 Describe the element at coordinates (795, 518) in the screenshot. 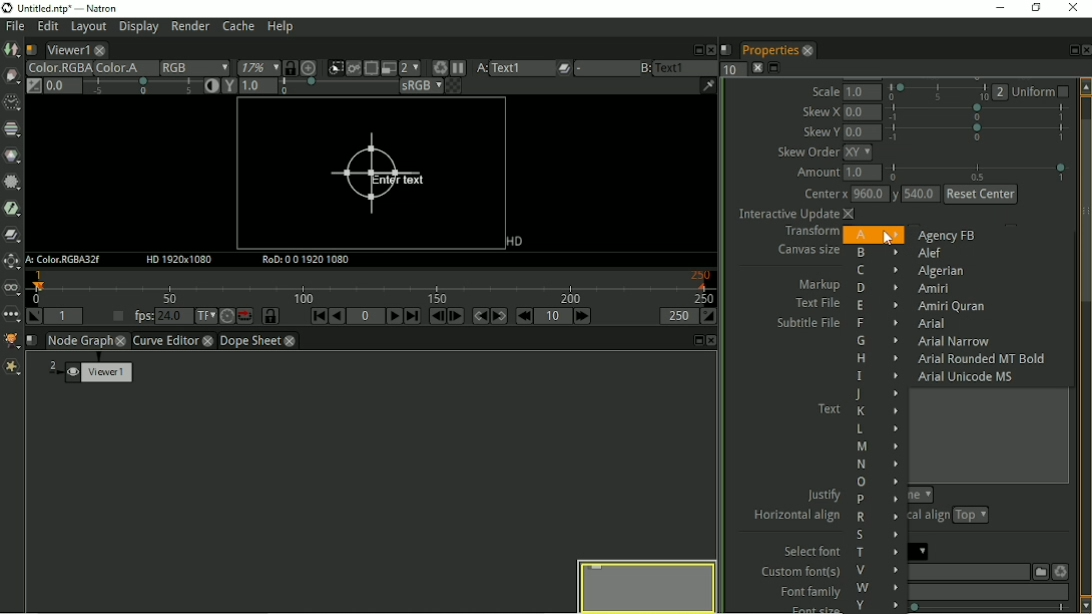

I see `Horizontal align` at that location.